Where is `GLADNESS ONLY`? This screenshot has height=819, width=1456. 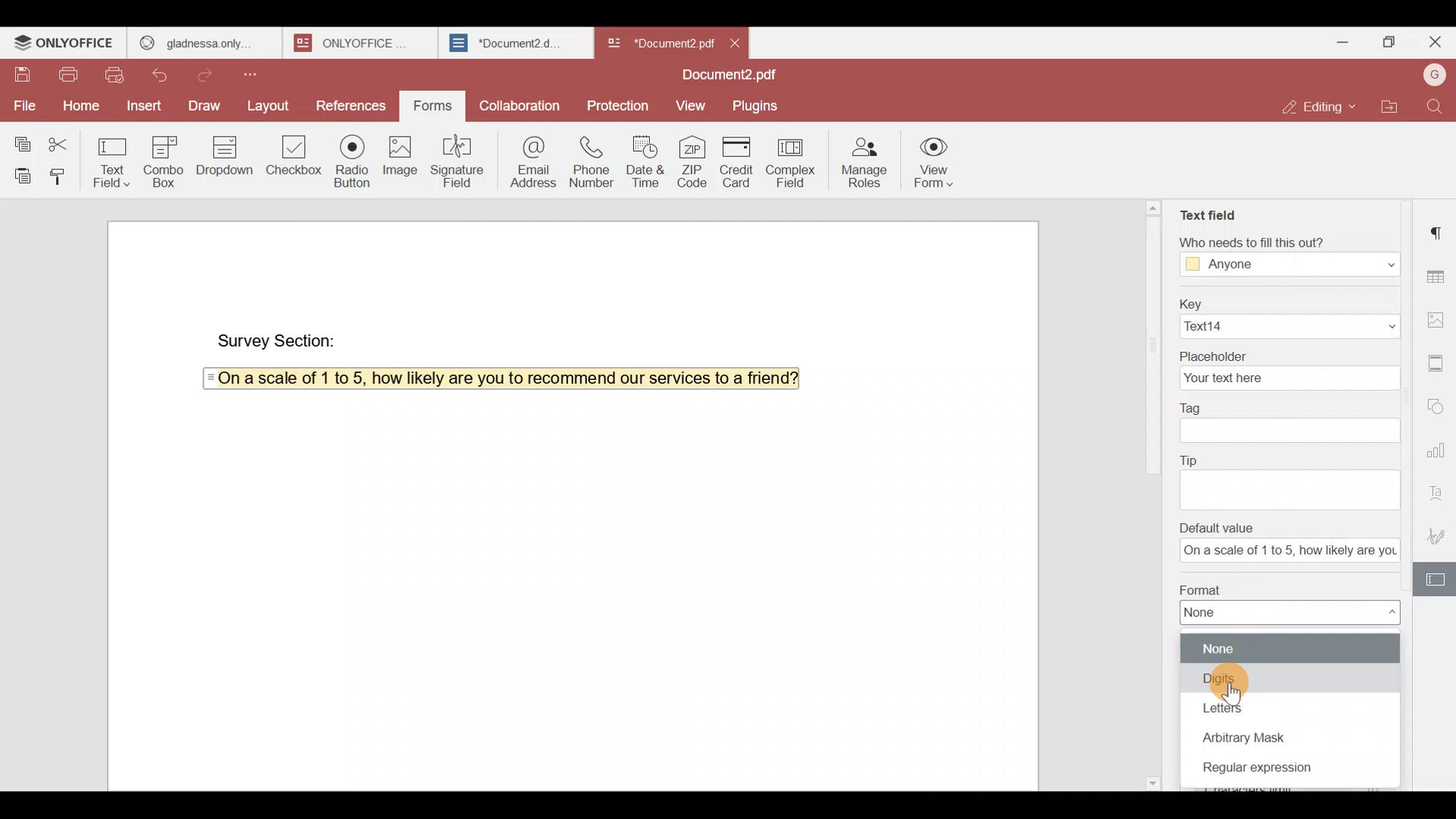
GLADNESS ONLY is located at coordinates (199, 39).